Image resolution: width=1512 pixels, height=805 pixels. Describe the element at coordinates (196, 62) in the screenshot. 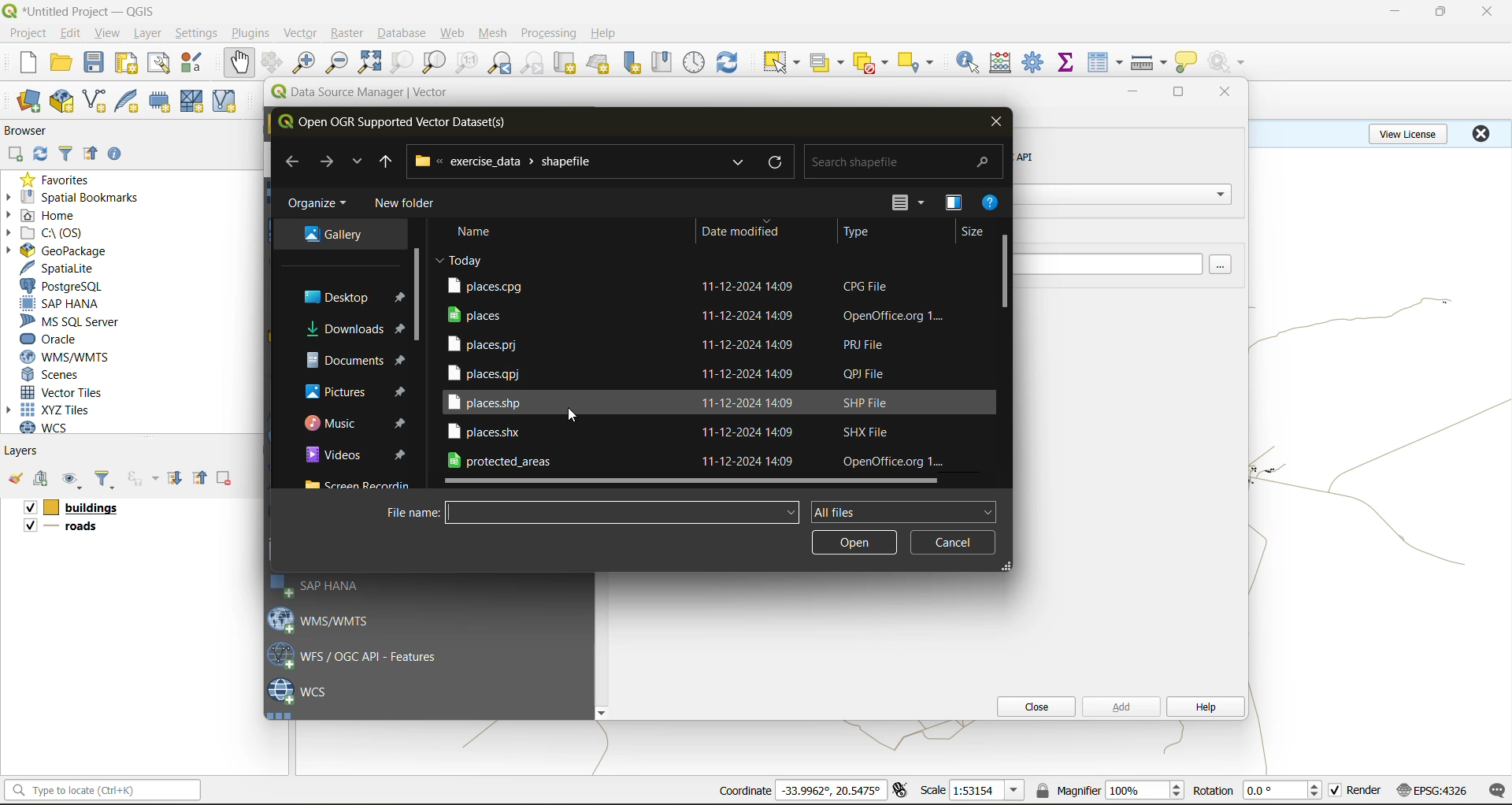

I see `style management` at that location.